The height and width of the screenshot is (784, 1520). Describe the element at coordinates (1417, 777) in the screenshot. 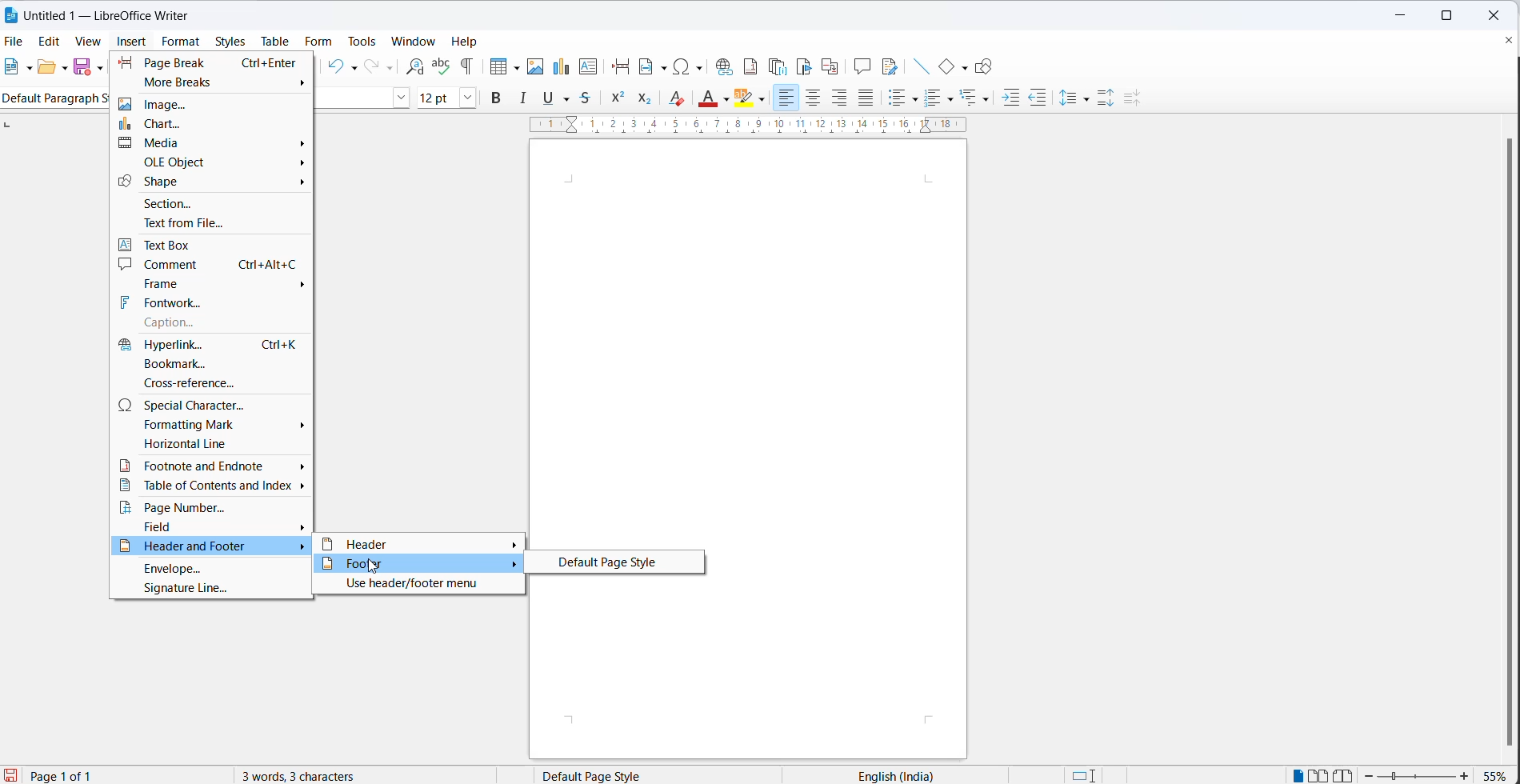

I see `zoom slider` at that location.